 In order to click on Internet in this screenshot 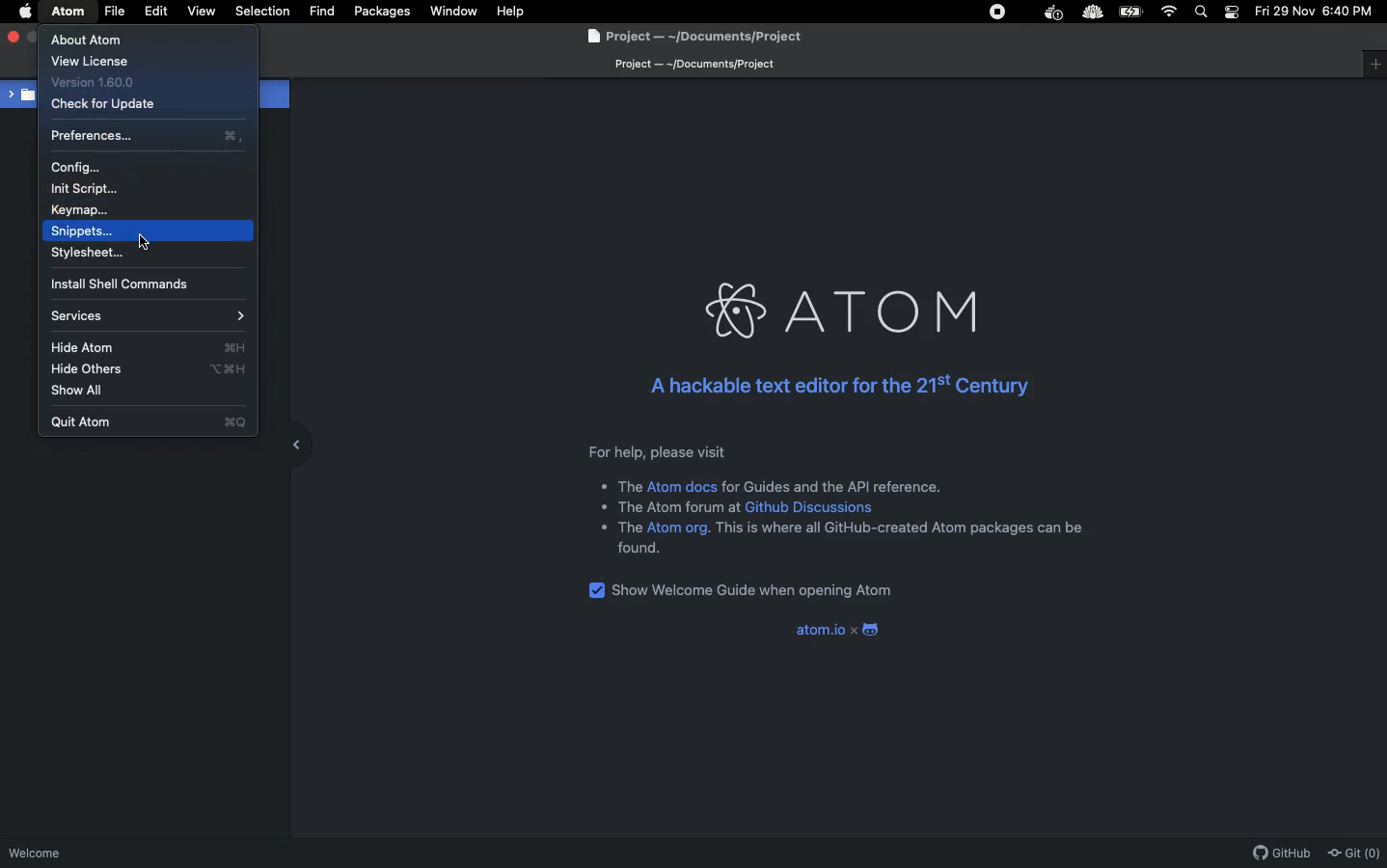, I will do `click(1169, 12)`.